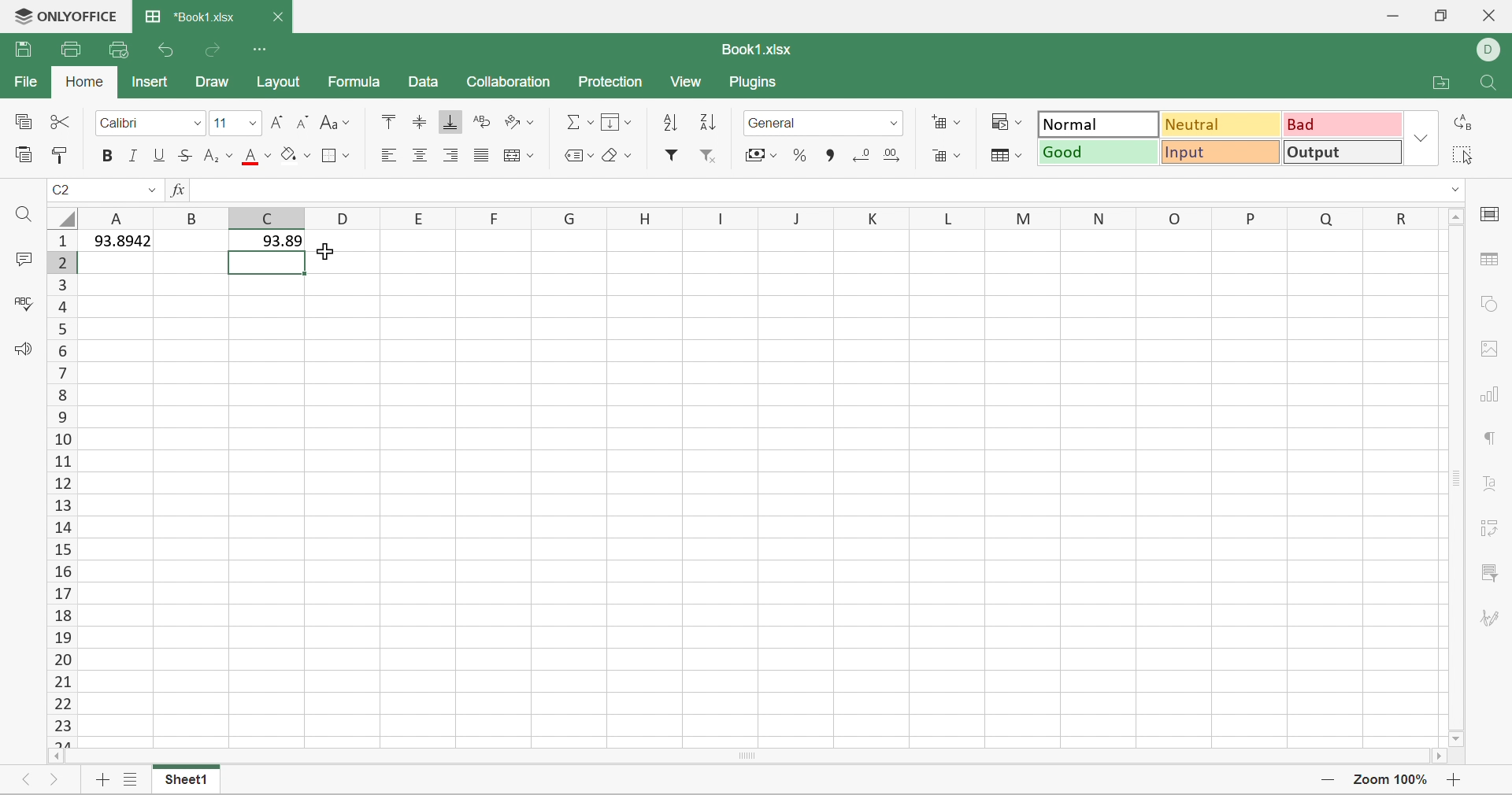  What do you see at coordinates (118, 238) in the screenshot?
I see `93.8942` at bounding box center [118, 238].